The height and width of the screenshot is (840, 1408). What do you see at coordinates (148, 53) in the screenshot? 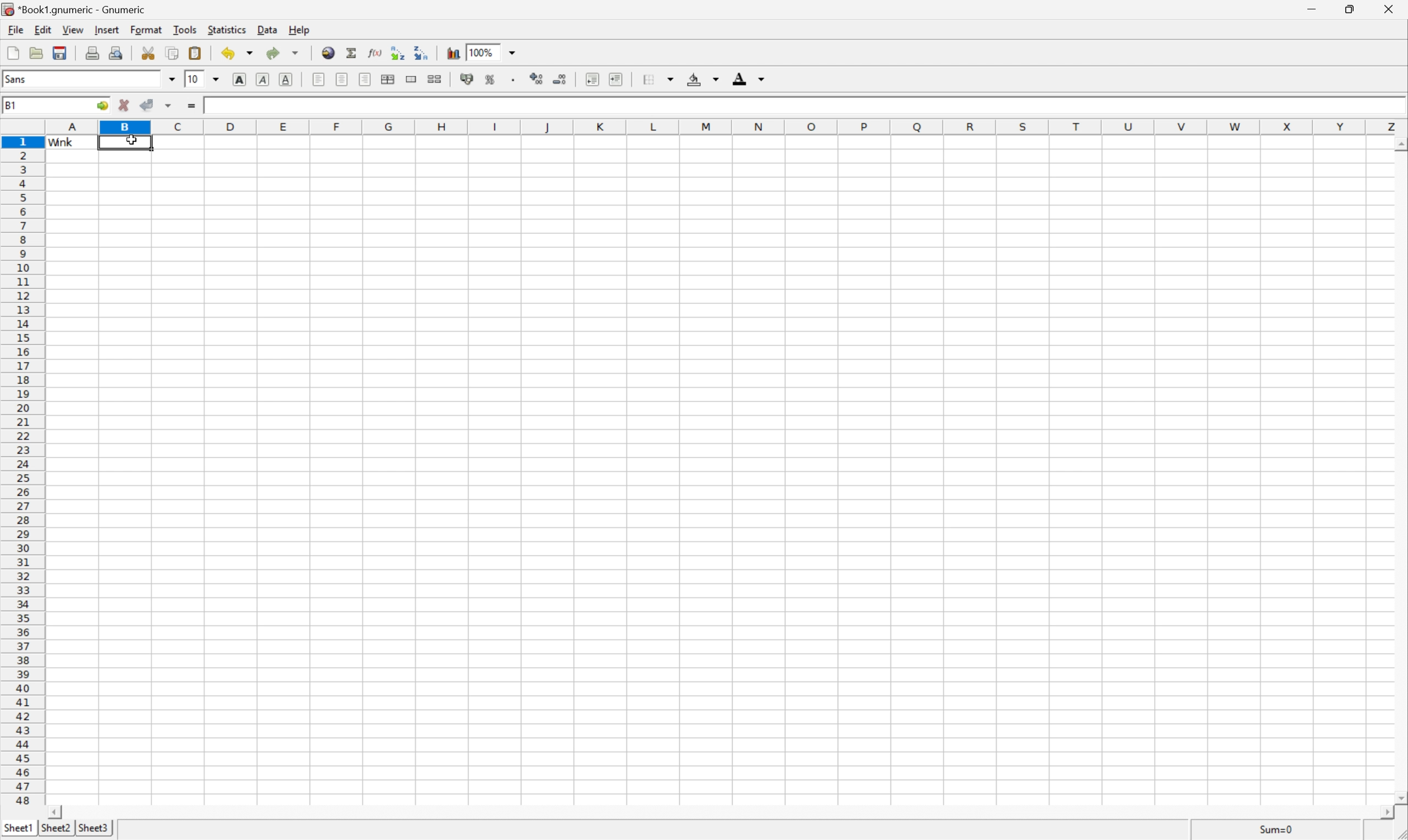
I see `cut` at bounding box center [148, 53].